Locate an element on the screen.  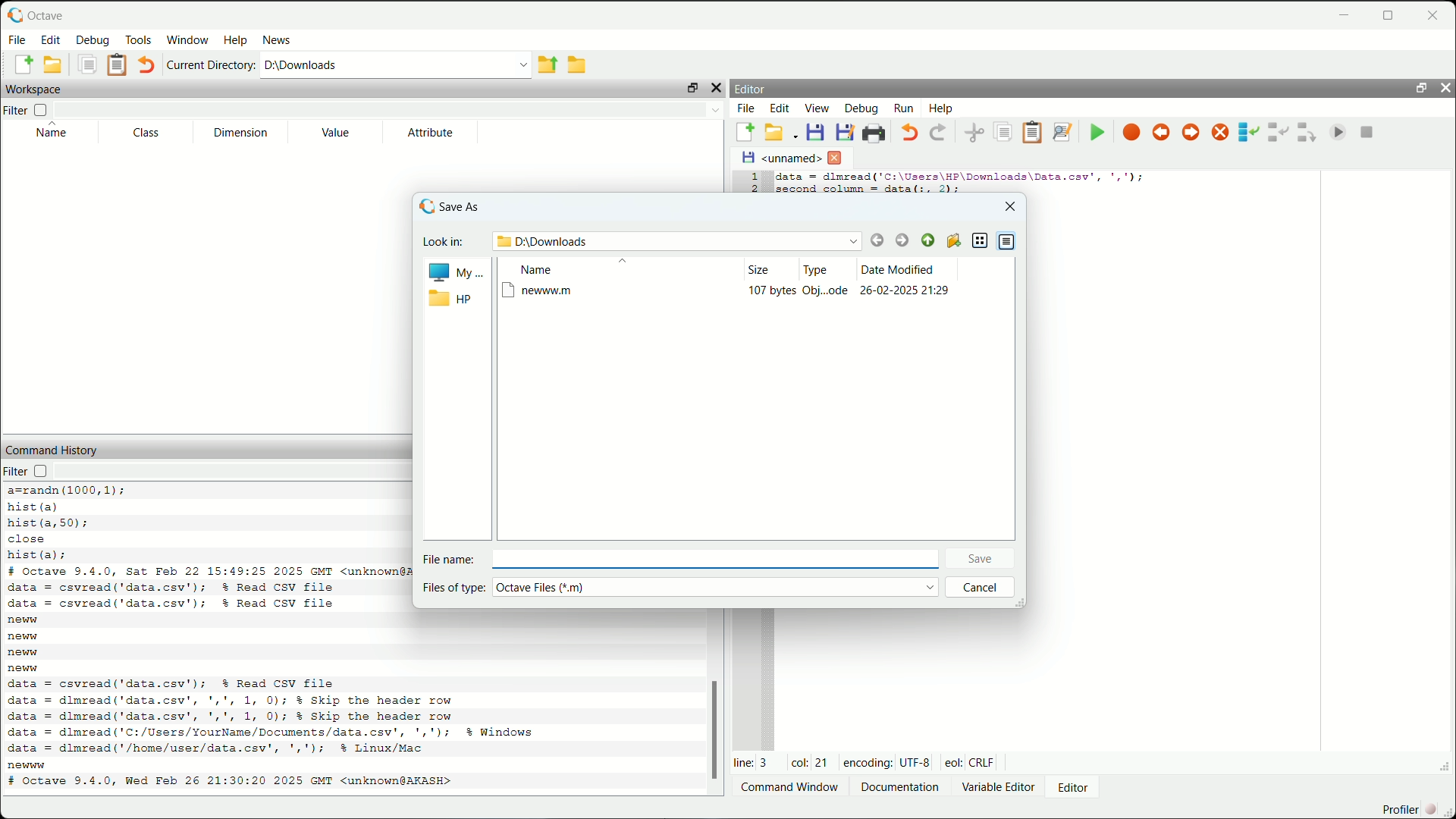
eol: Crlf is located at coordinates (971, 761).